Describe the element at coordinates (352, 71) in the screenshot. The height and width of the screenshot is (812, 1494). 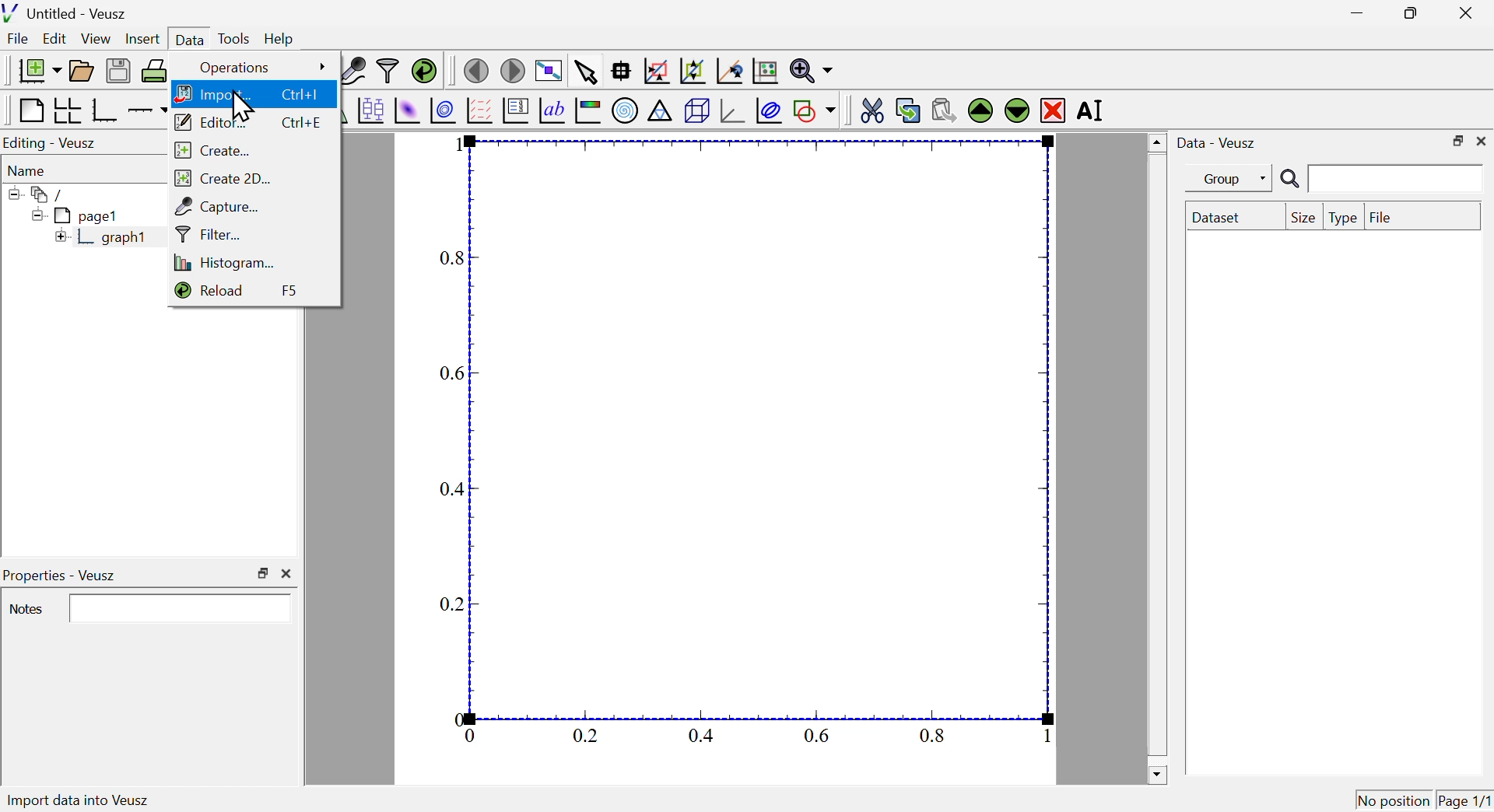
I see `capture remote data` at that location.